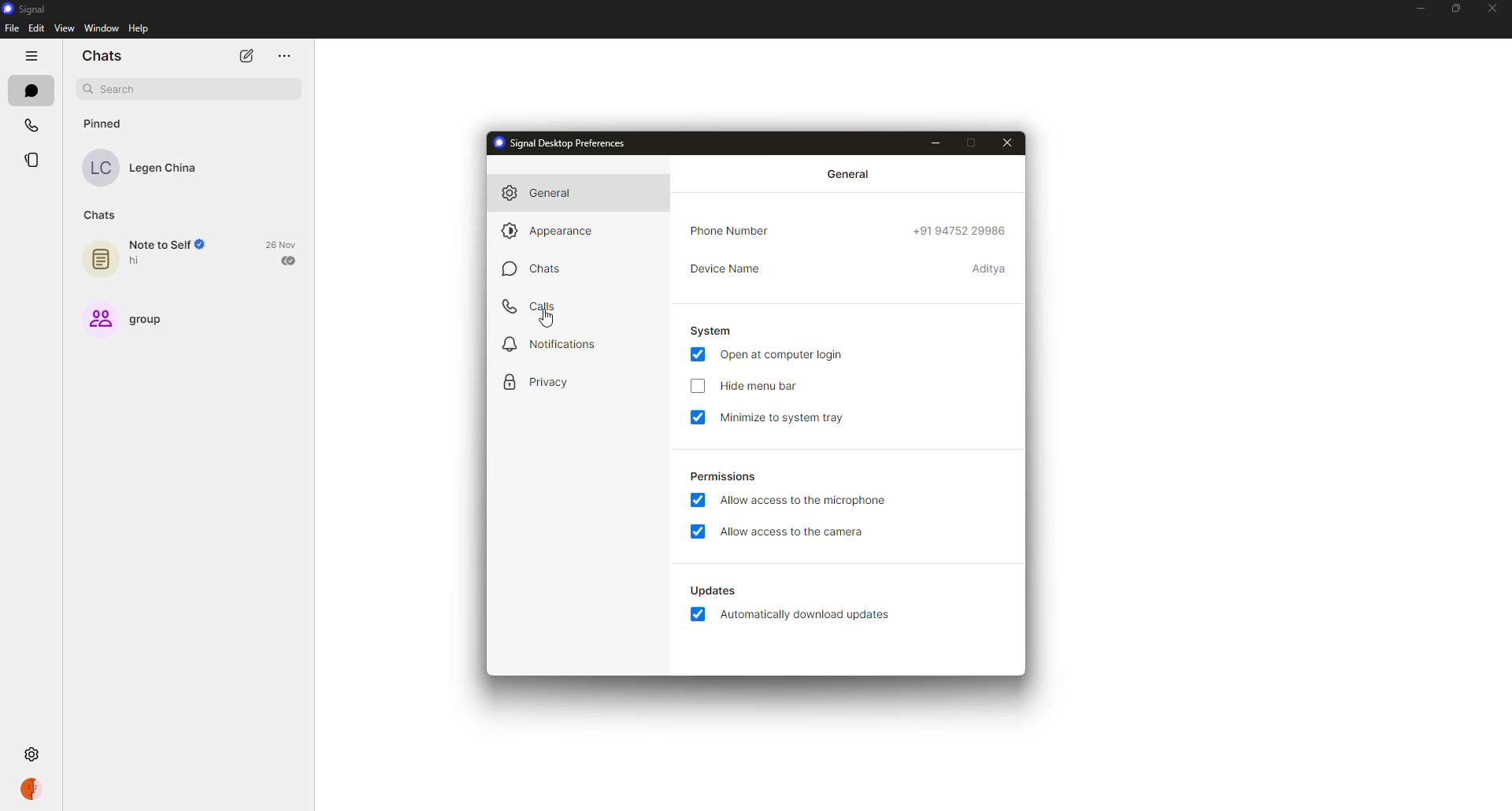 This screenshot has width=1512, height=811. What do you see at coordinates (550, 344) in the screenshot?
I see `notifications` at bounding box center [550, 344].